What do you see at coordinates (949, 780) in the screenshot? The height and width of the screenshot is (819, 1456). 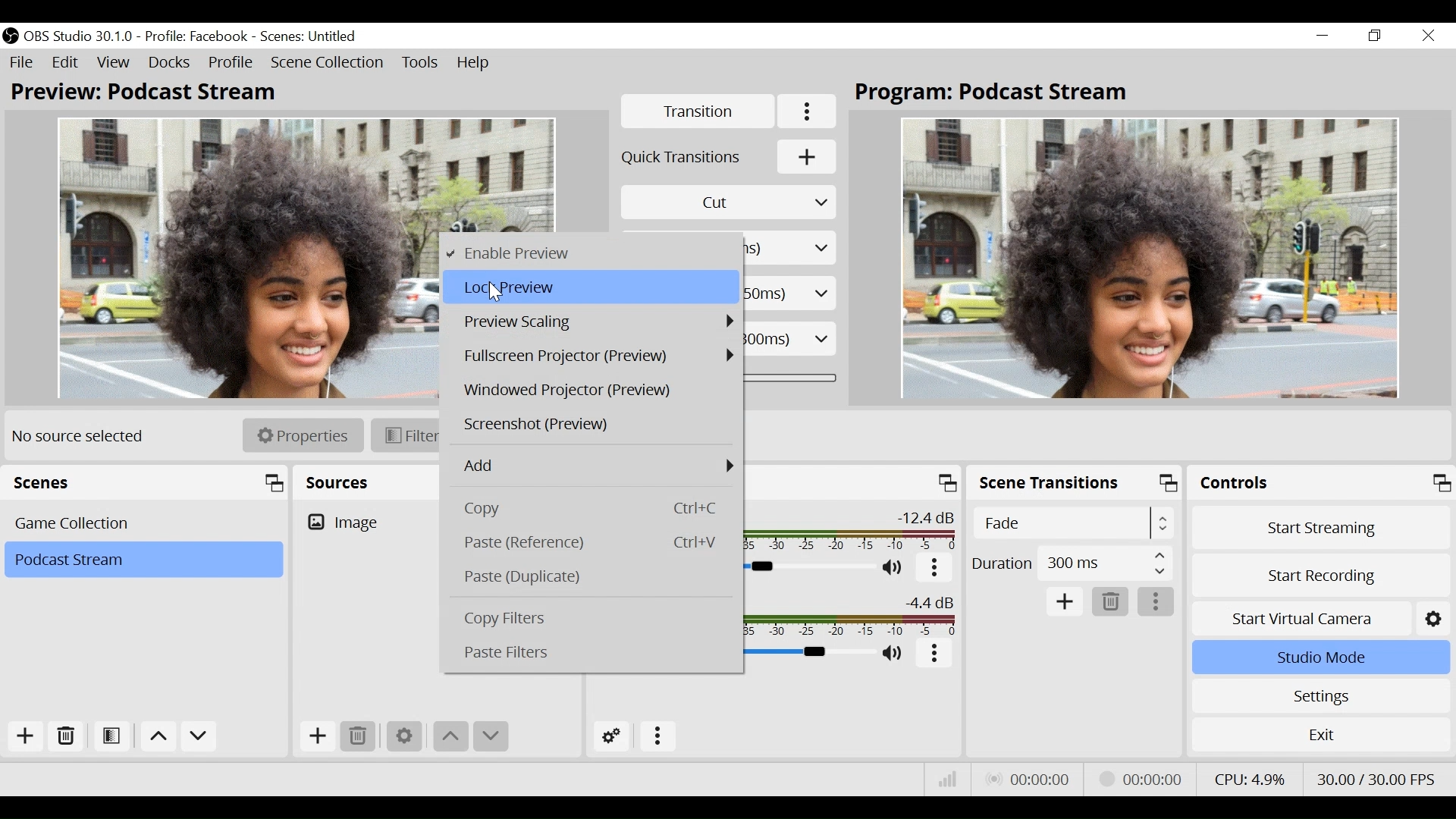 I see `Bitrate` at bounding box center [949, 780].